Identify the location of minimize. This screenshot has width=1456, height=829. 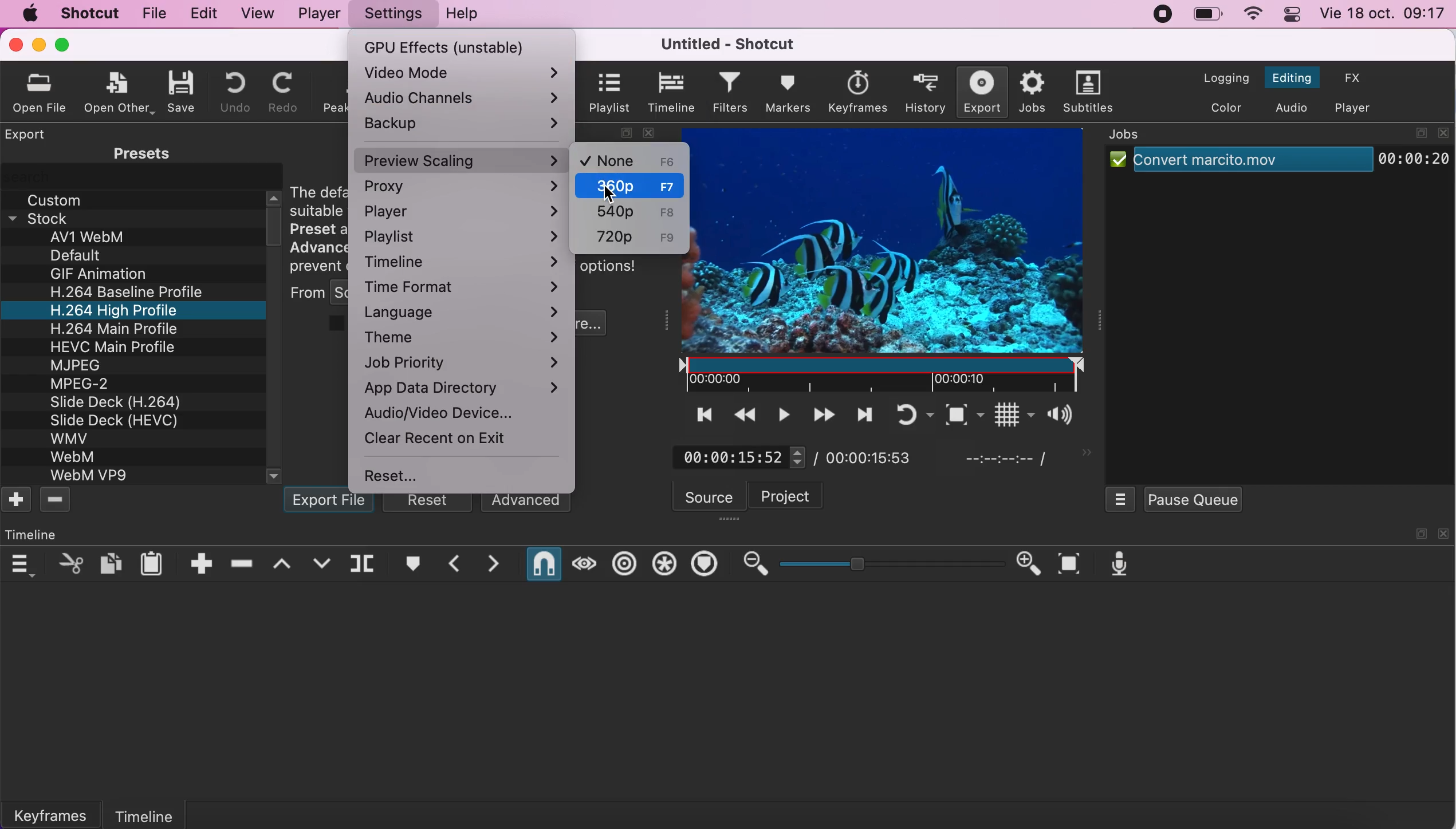
(40, 44).